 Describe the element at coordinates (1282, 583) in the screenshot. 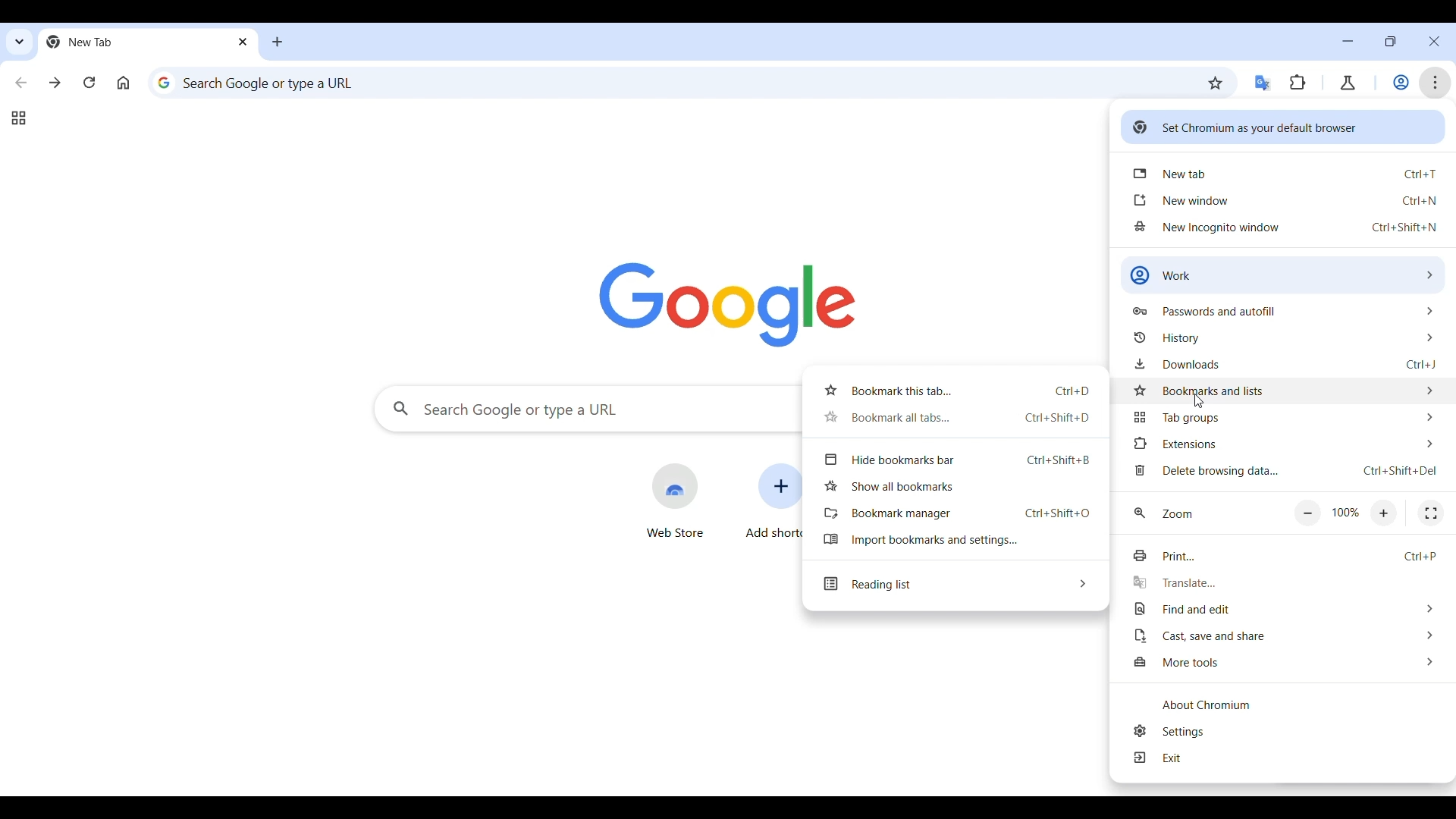

I see `Translate` at that location.